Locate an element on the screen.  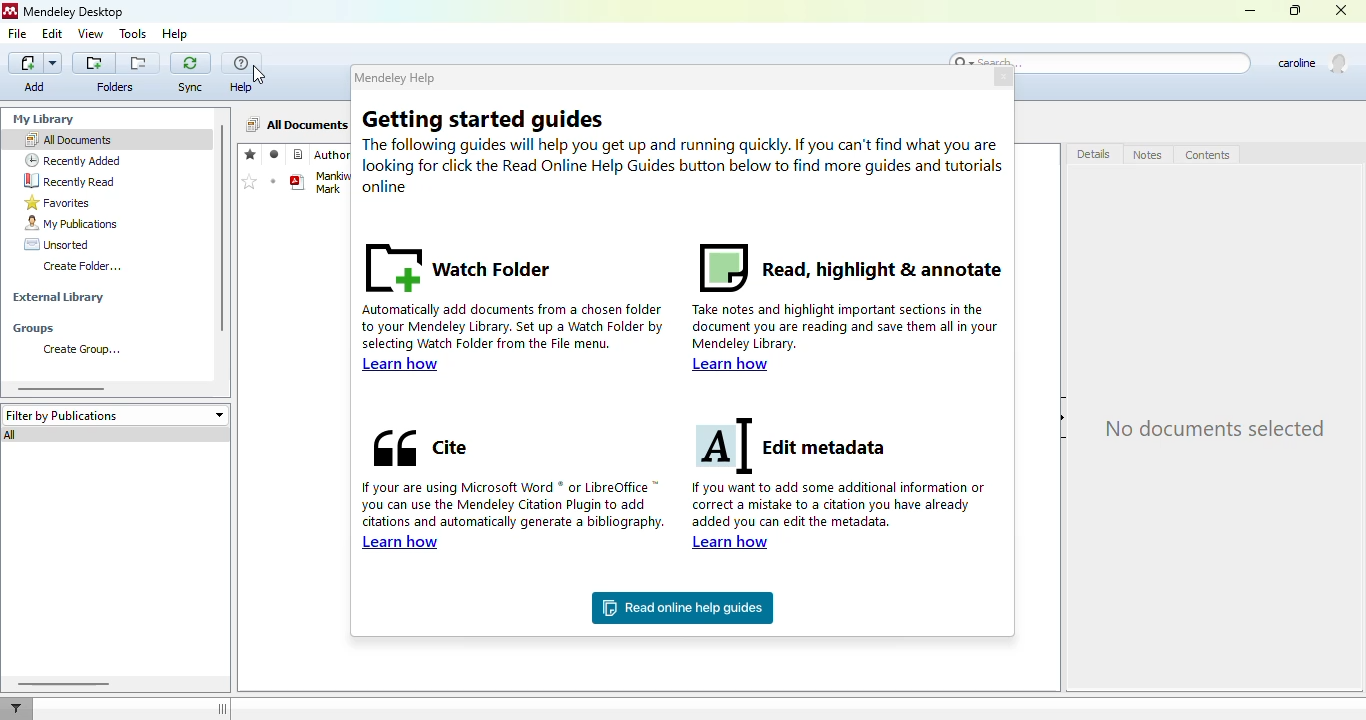
recently read is located at coordinates (70, 181).